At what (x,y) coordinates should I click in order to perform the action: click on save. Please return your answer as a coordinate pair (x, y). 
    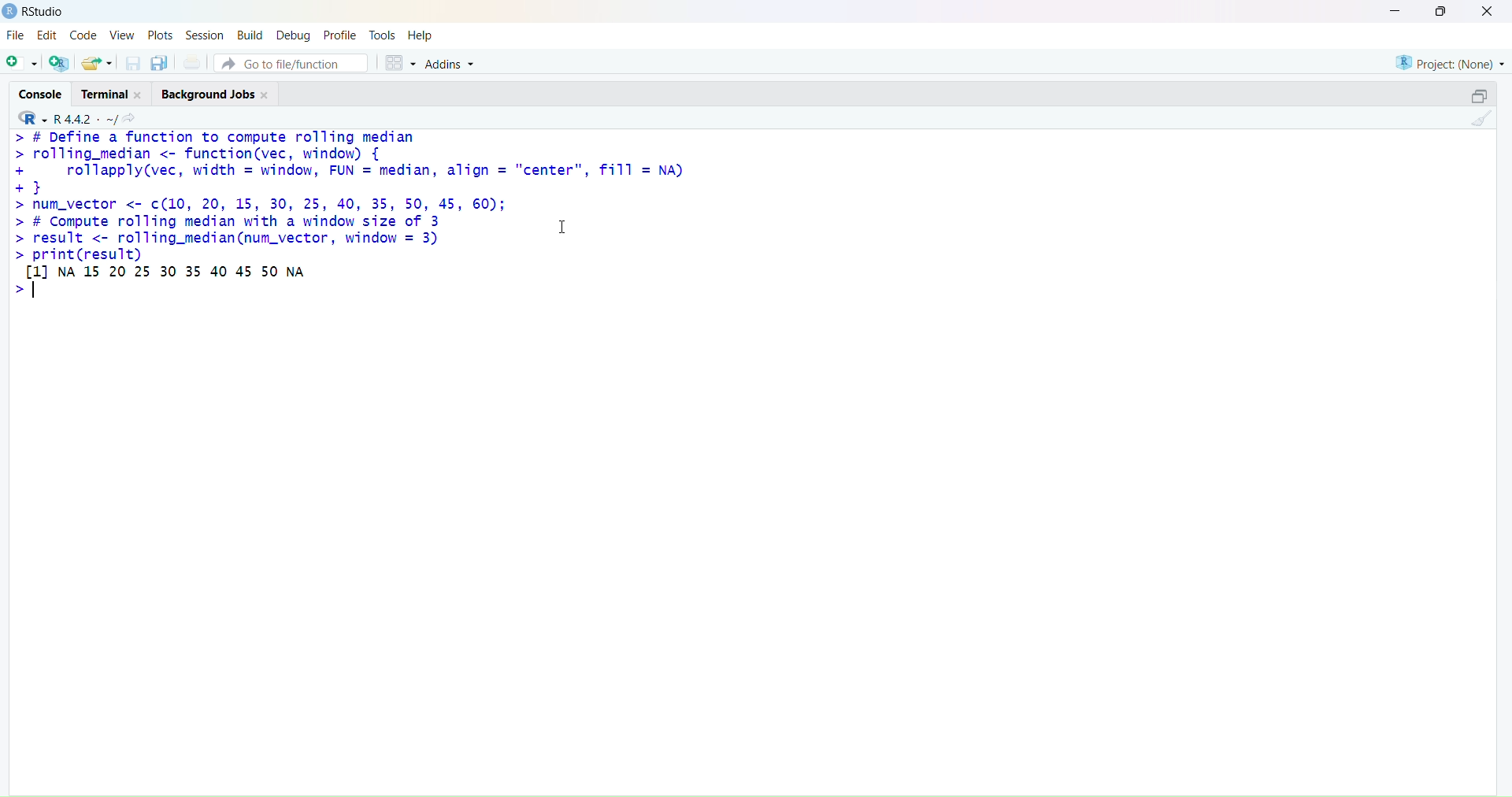
    Looking at the image, I should click on (135, 63).